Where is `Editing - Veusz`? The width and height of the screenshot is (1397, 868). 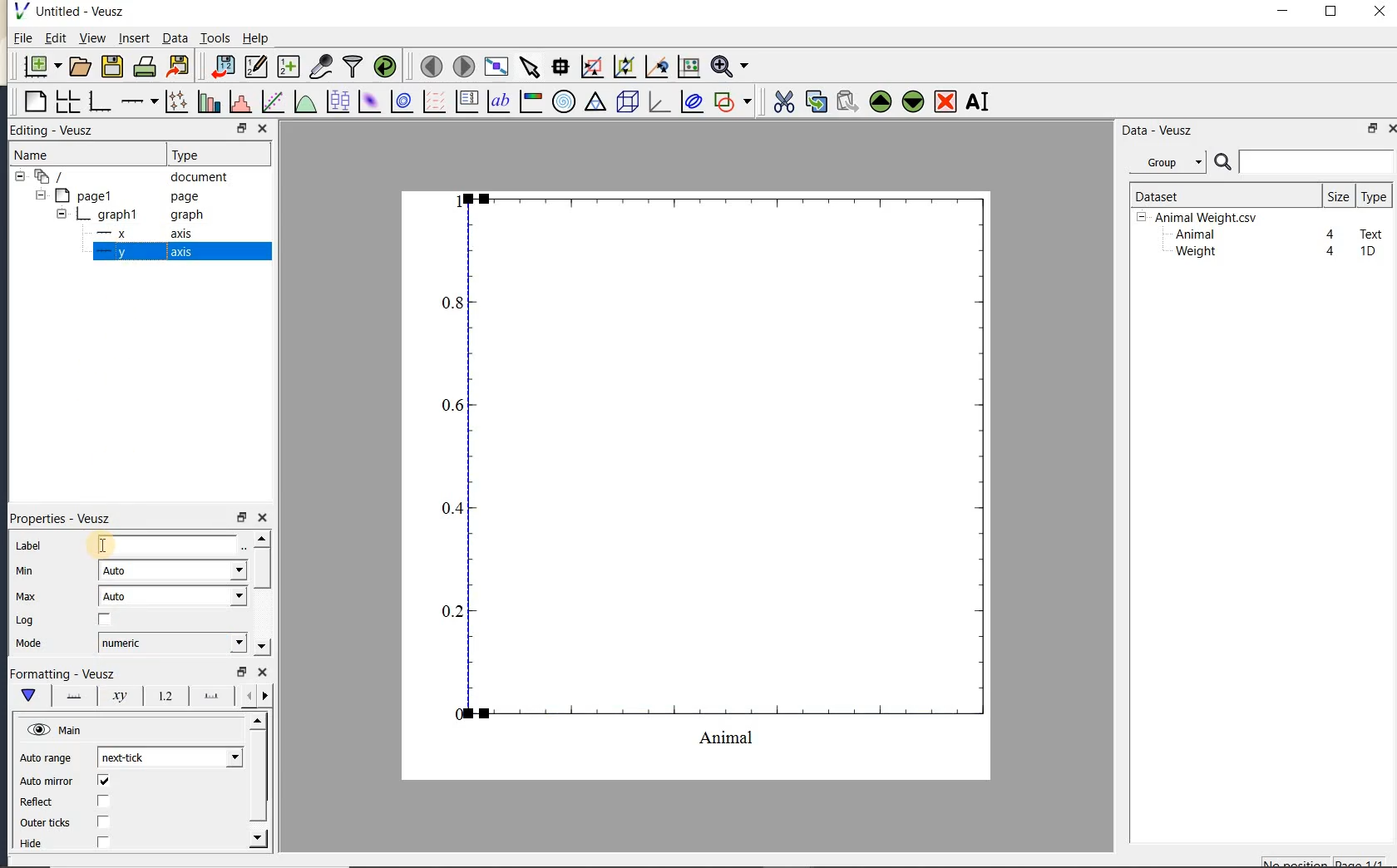 Editing - Veusz is located at coordinates (61, 131).